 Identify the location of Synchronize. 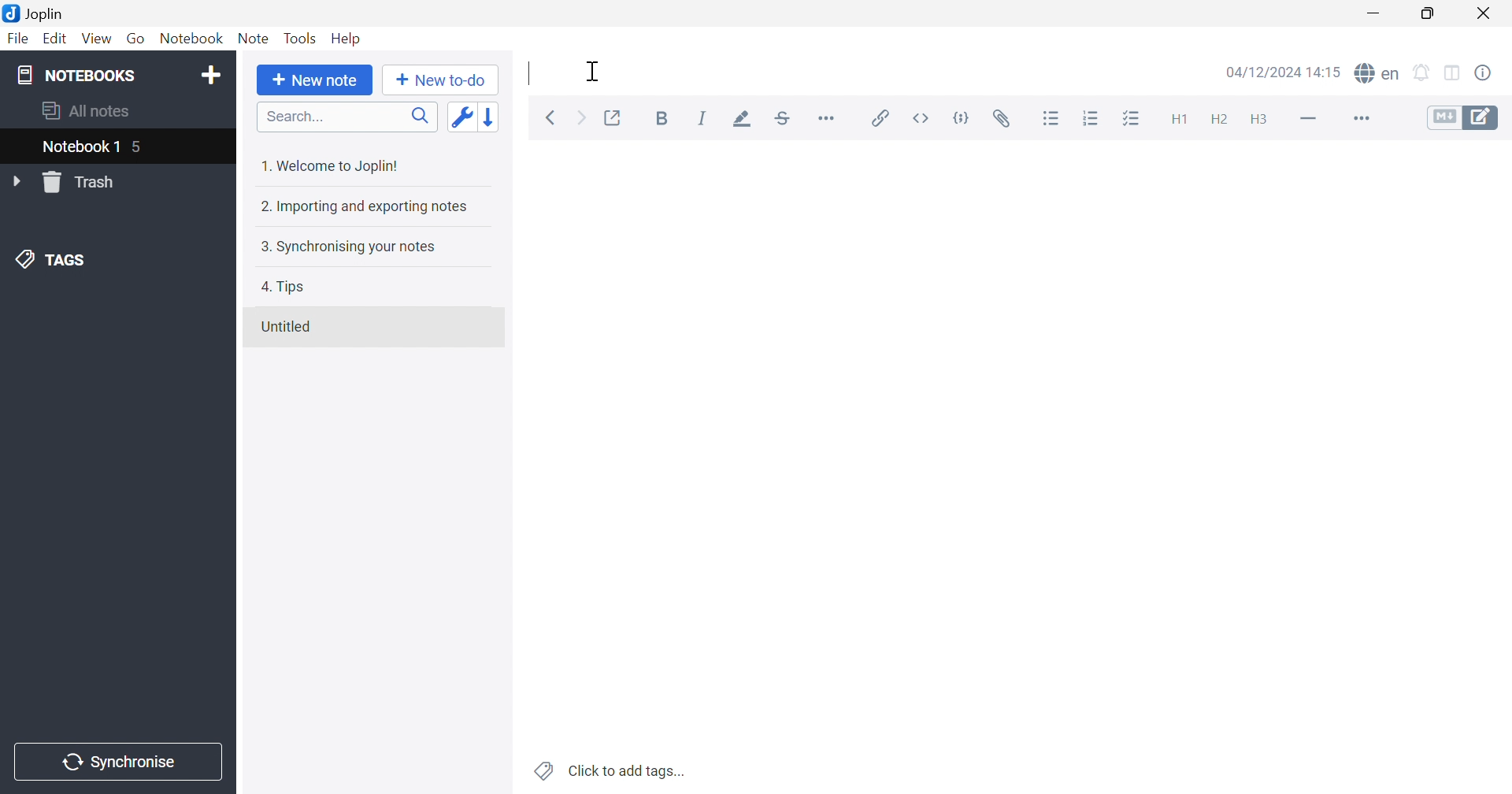
(121, 762).